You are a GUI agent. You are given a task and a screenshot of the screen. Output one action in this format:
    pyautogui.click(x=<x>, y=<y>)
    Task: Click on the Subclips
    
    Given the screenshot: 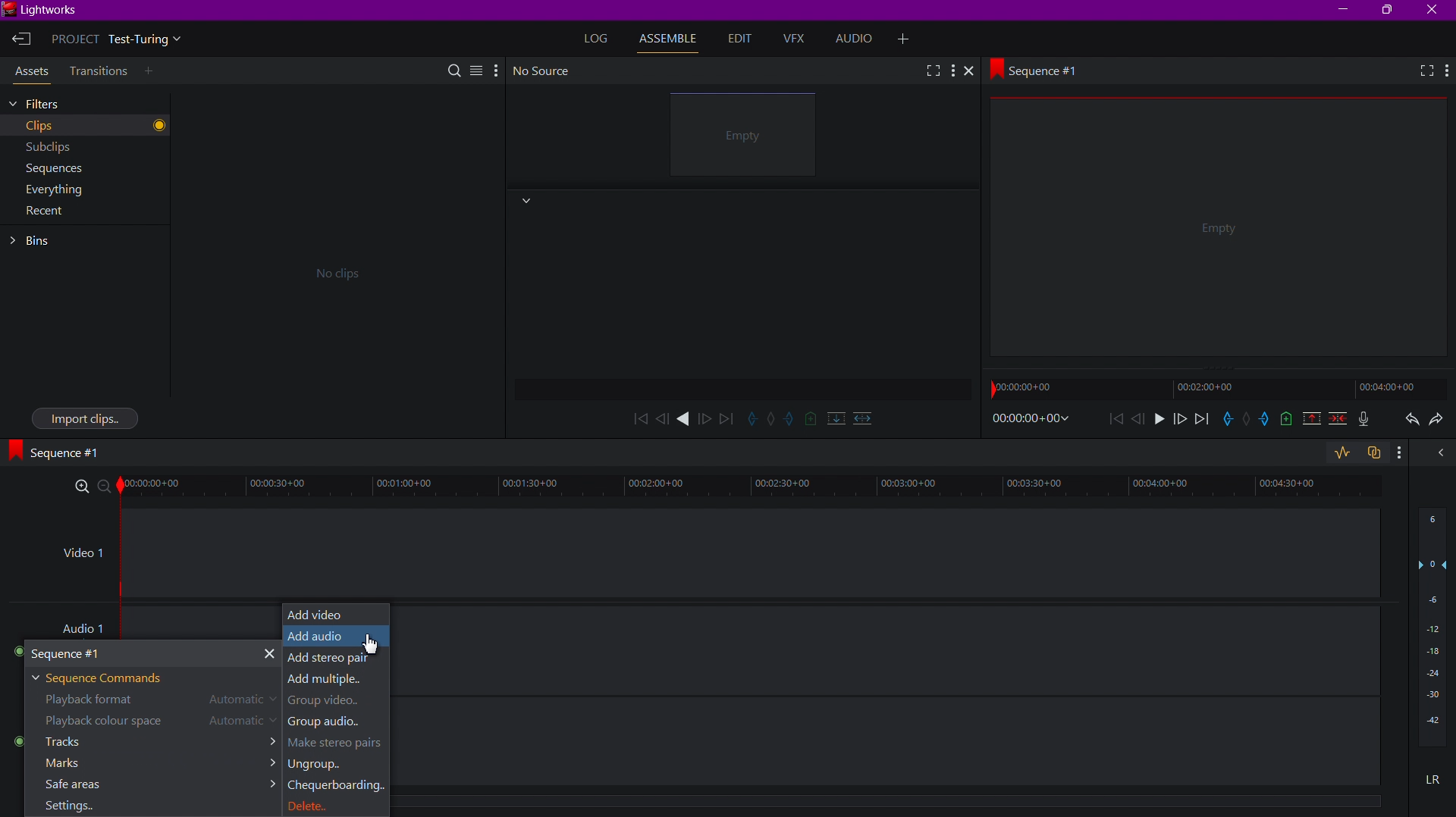 What is the action you would take?
    pyautogui.click(x=49, y=146)
    